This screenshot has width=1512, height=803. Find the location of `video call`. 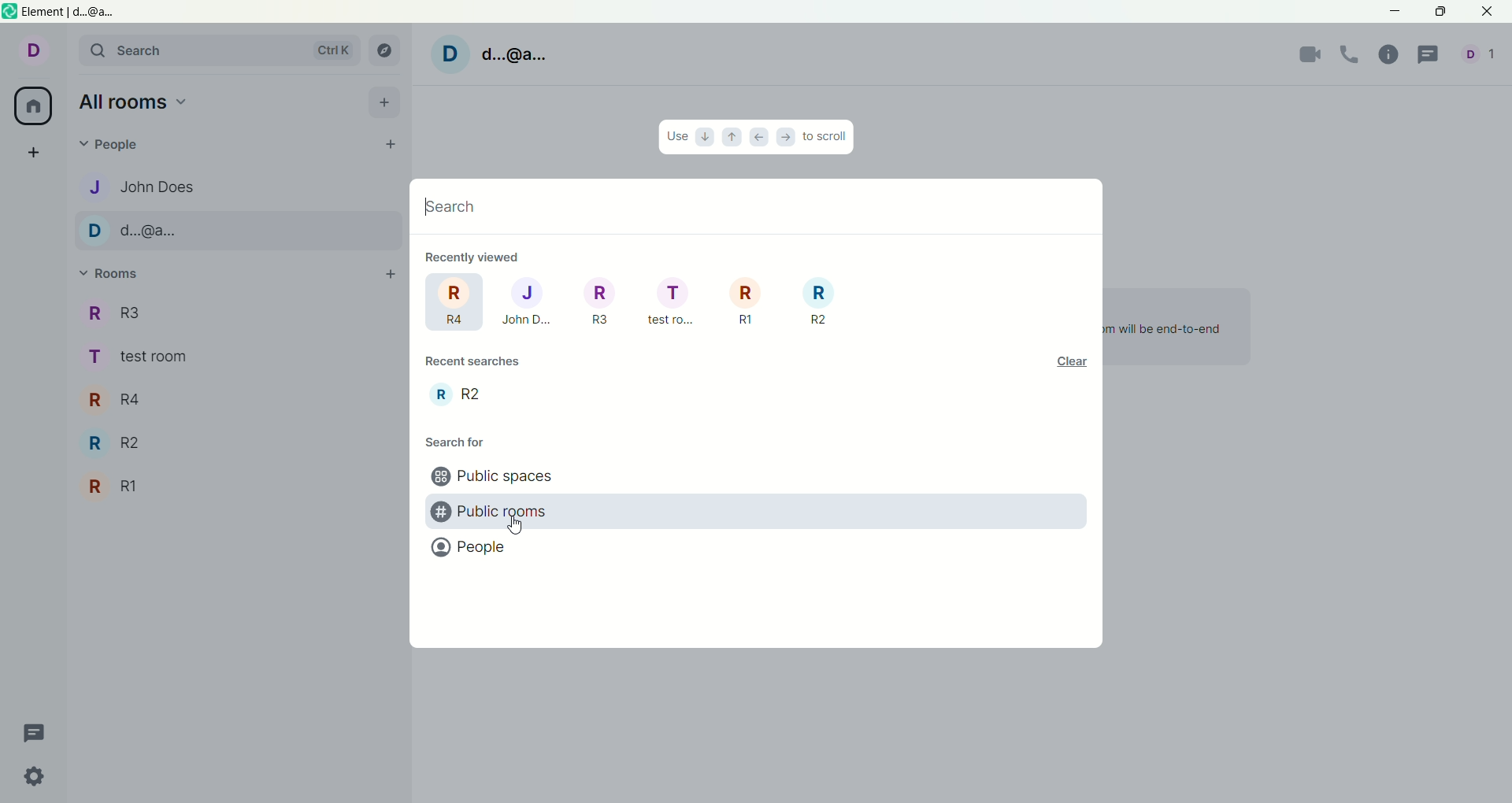

video call is located at coordinates (1305, 56).